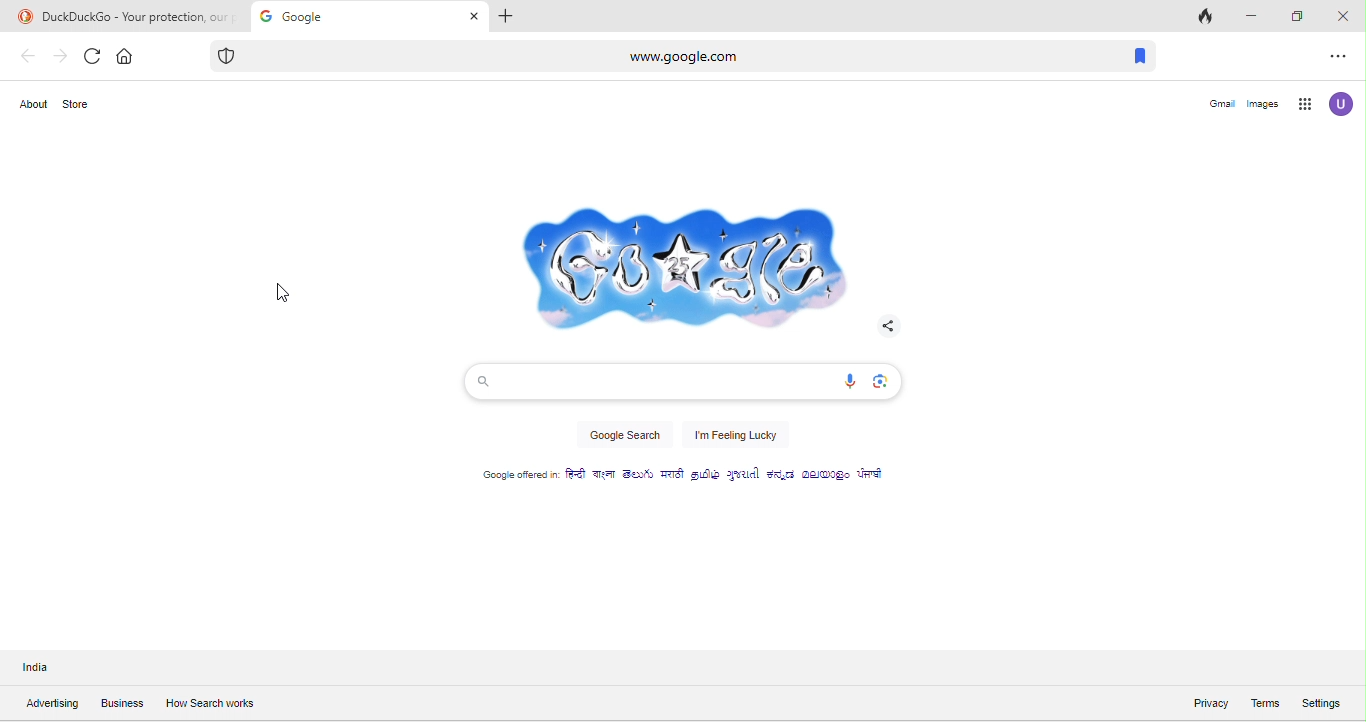 The image size is (1366, 722). I want to click on how search works, so click(209, 703).